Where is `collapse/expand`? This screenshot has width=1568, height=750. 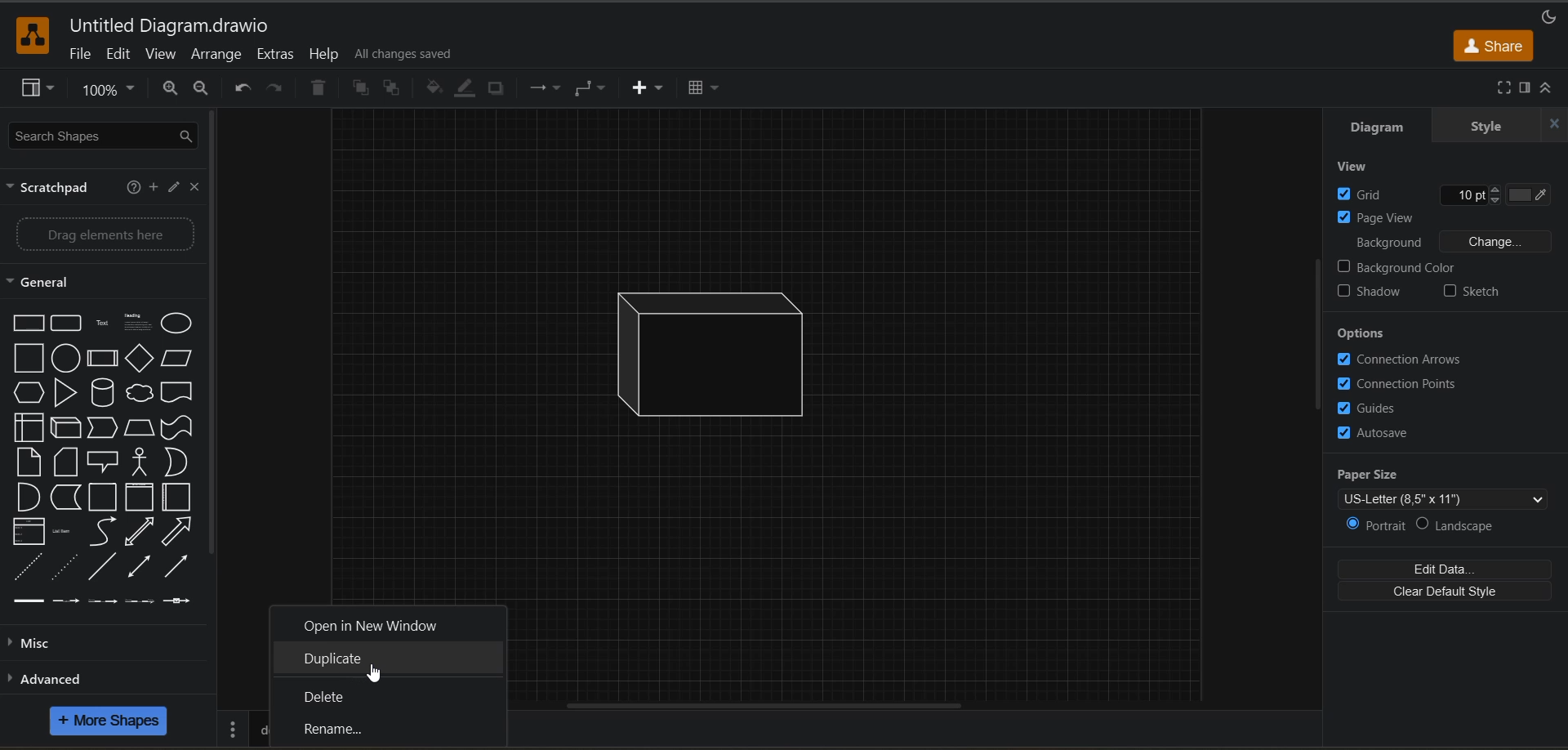
collapse/expand is located at coordinates (1549, 88).